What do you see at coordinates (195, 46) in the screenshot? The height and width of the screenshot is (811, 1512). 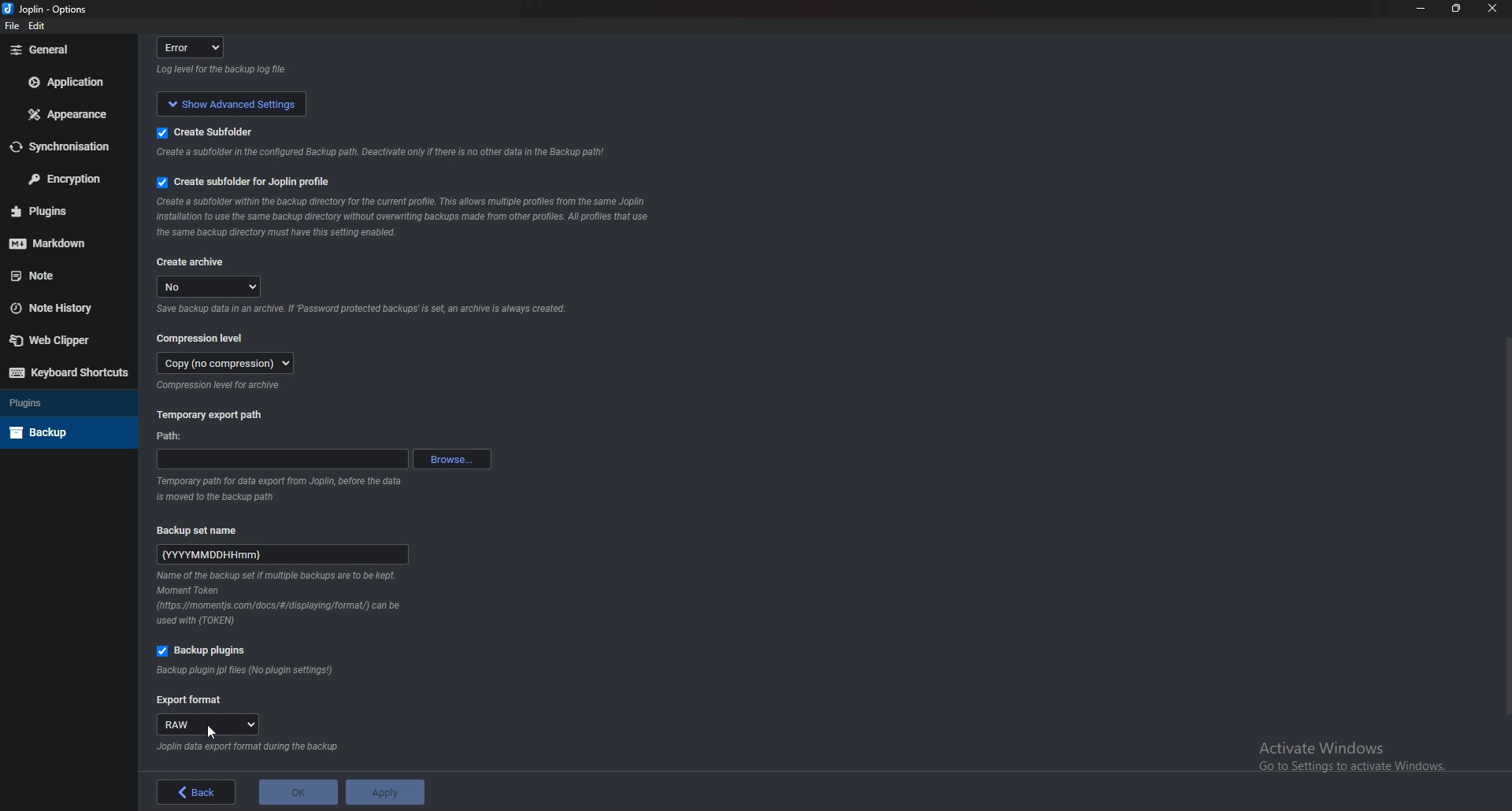 I see `error` at bounding box center [195, 46].